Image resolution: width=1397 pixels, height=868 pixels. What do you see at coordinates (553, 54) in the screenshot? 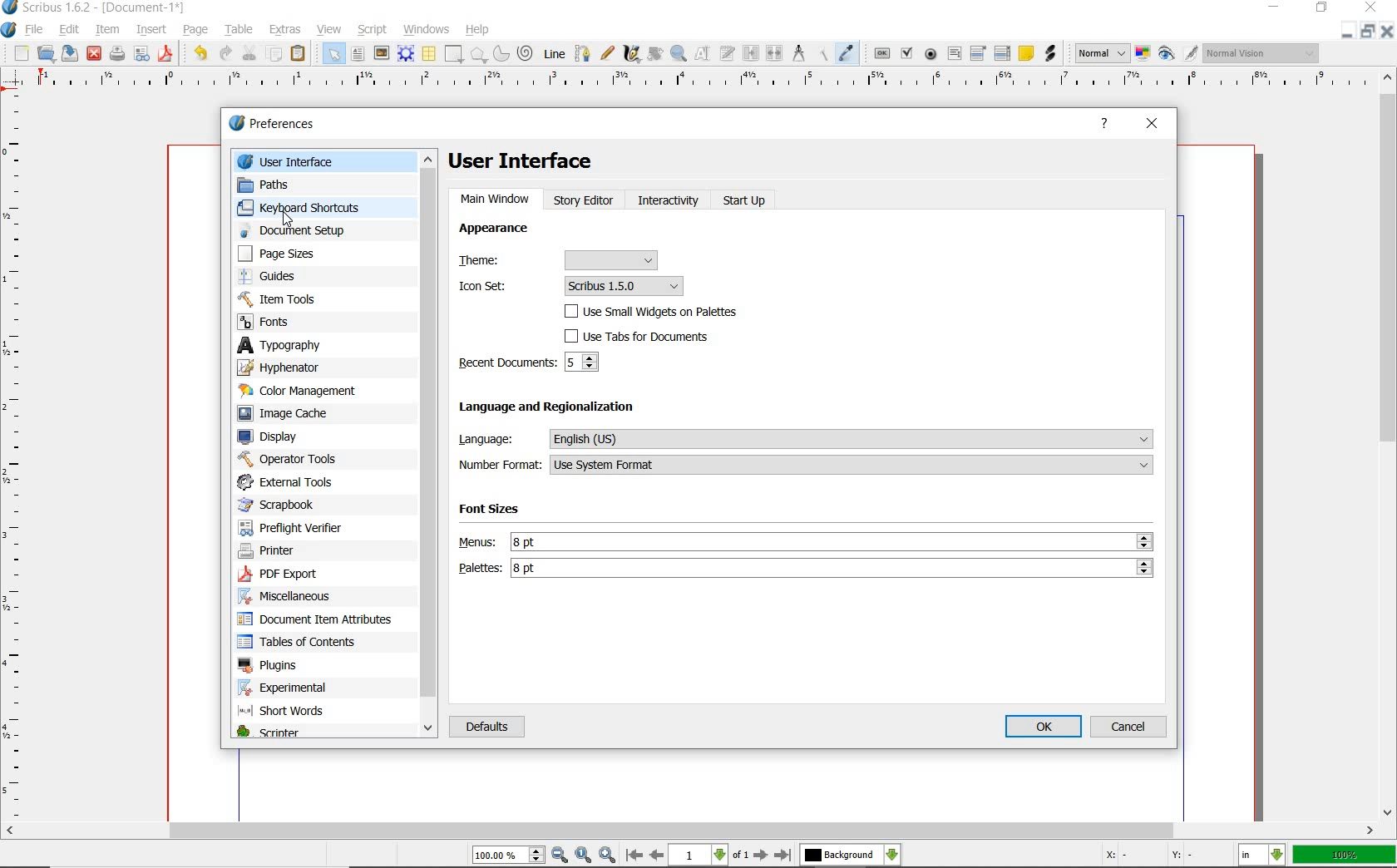
I see `line` at bounding box center [553, 54].